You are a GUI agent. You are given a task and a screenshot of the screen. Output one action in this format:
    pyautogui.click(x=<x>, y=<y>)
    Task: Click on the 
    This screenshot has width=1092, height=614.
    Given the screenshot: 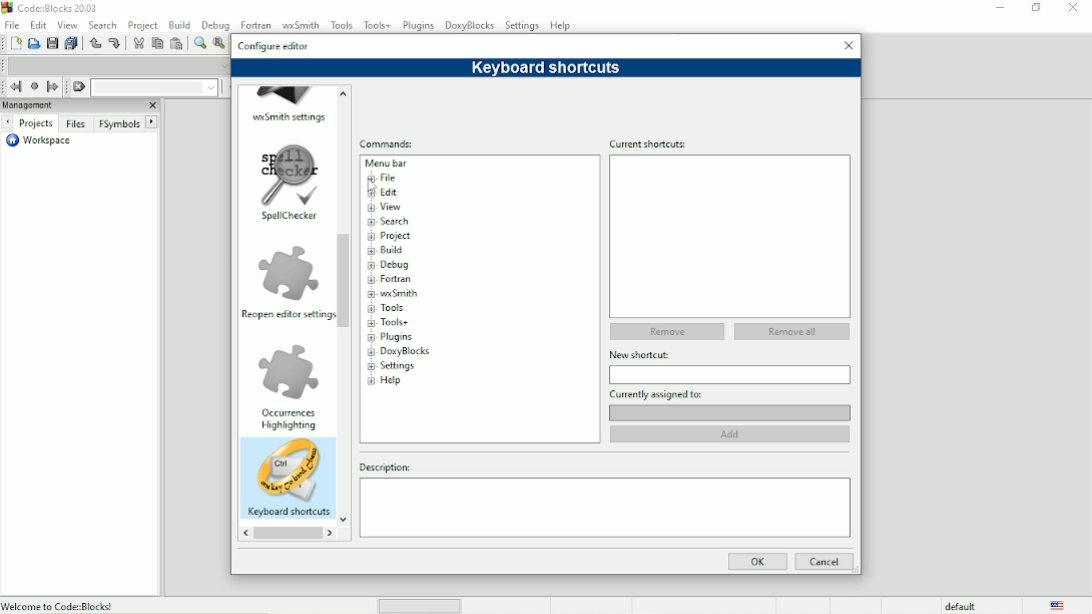 What is the action you would take?
    pyautogui.click(x=605, y=507)
    